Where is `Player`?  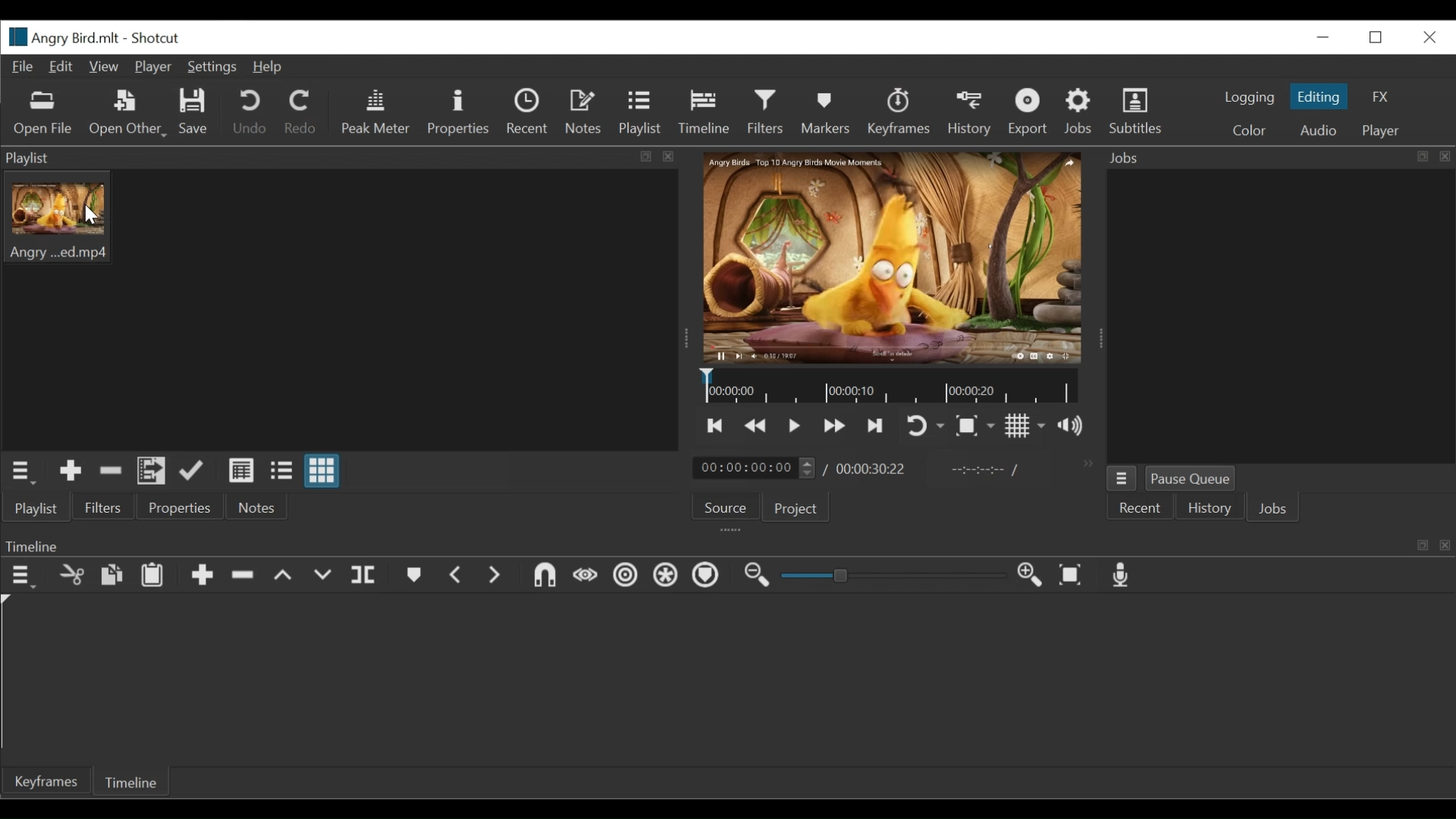
Player is located at coordinates (152, 67).